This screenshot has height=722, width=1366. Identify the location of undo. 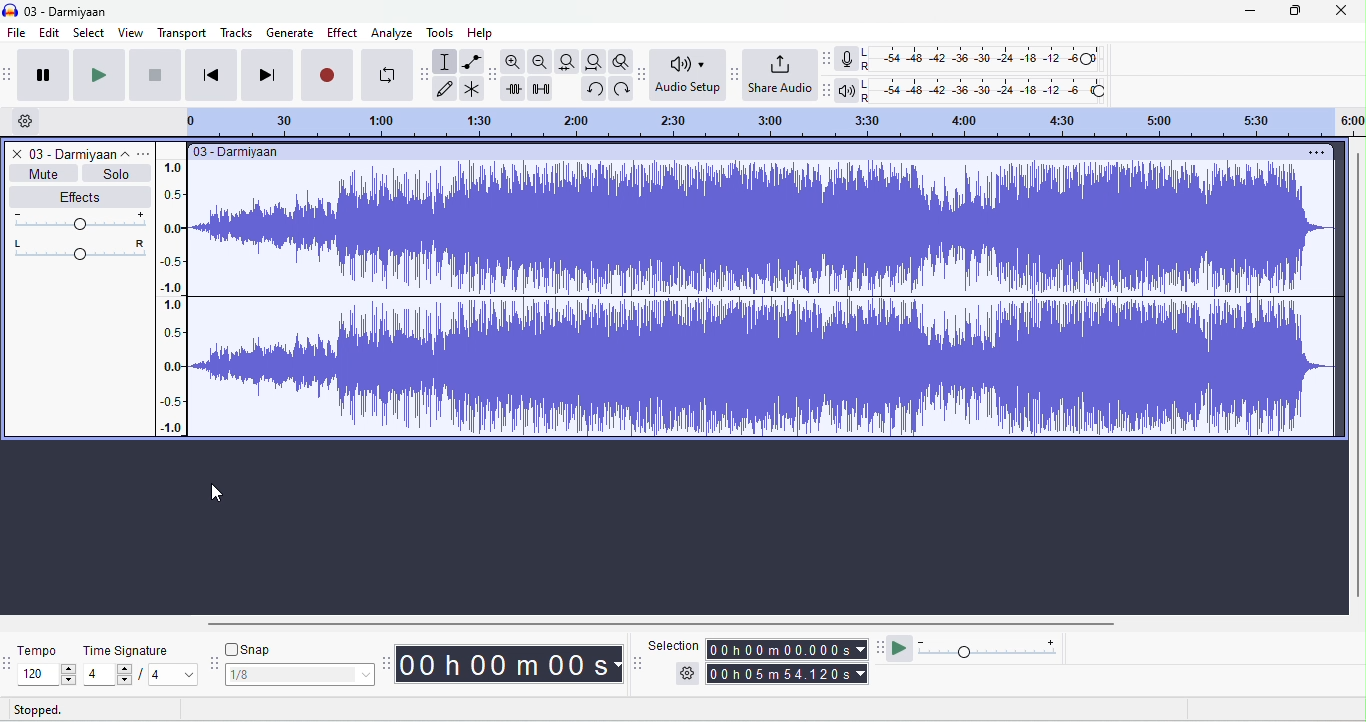
(595, 89).